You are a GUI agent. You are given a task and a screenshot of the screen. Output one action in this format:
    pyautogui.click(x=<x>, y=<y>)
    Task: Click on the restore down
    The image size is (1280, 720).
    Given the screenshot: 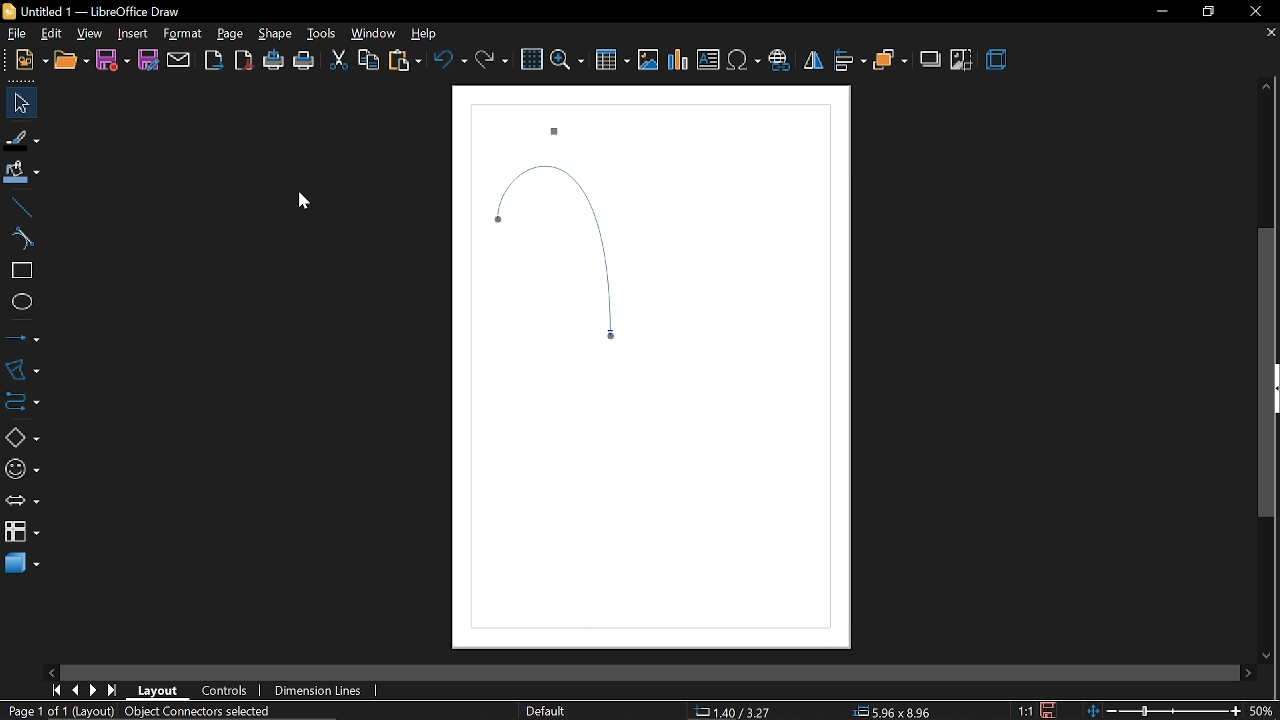 What is the action you would take?
    pyautogui.click(x=1206, y=11)
    